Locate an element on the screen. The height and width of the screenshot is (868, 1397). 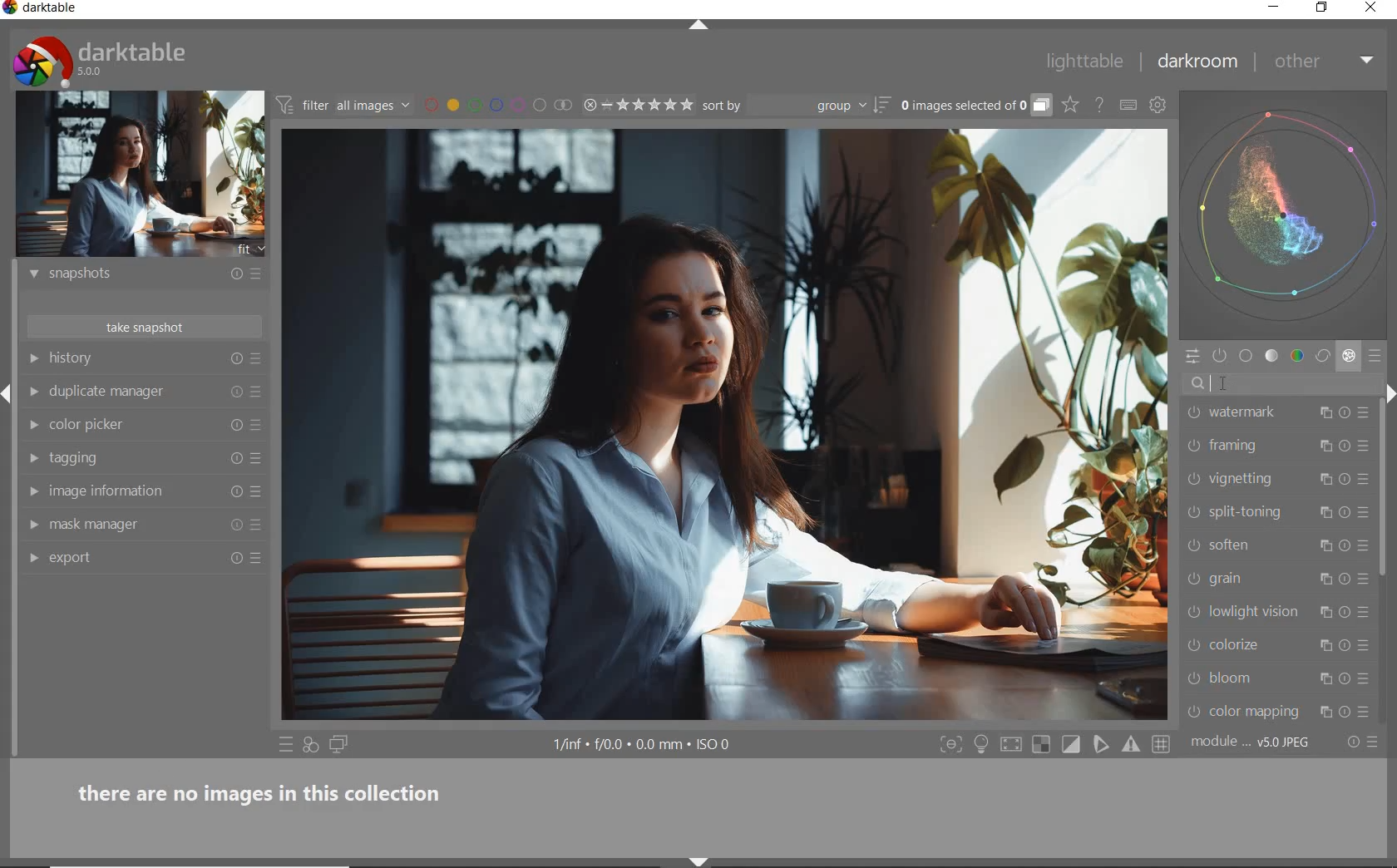
'colonize' is switched off is located at coordinates (1192, 645).